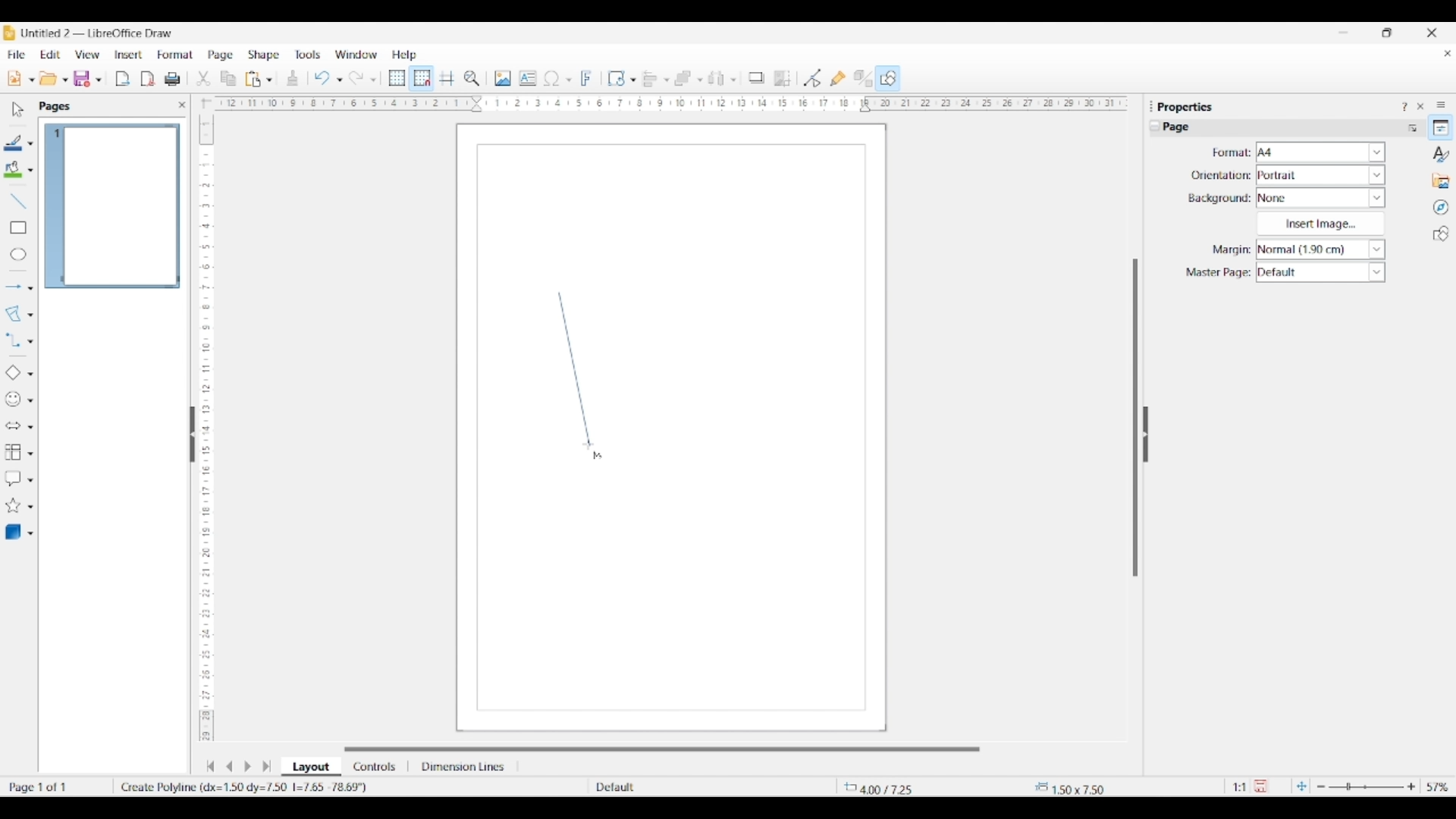  Describe the element at coordinates (717, 78) in the screenshot. I see `Chosen select object to distribute` at that location.